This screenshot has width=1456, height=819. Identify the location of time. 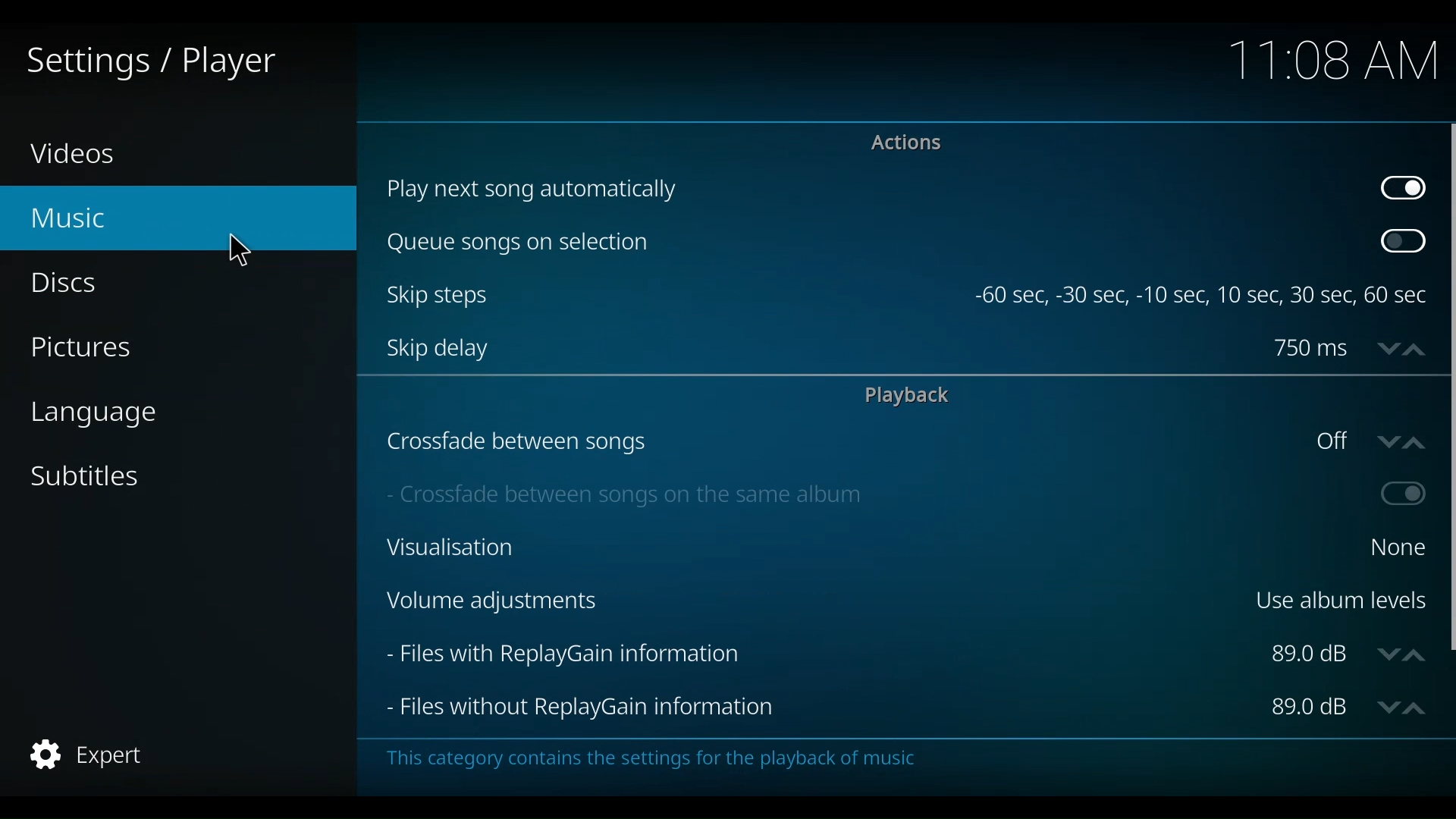
(1327, 60).